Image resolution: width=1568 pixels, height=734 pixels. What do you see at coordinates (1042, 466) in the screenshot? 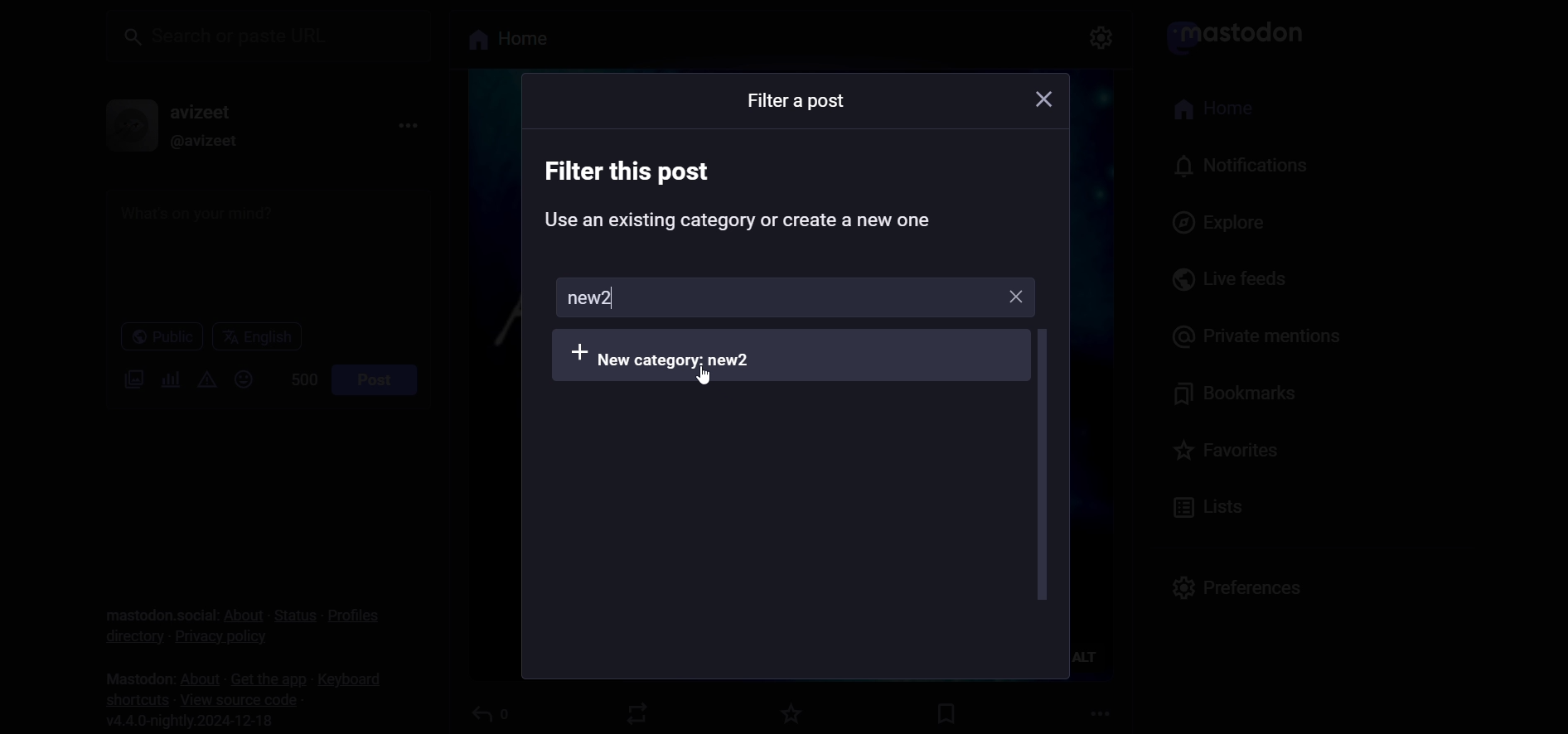
I see `scroll bar` at bounding box center [1042, 466].